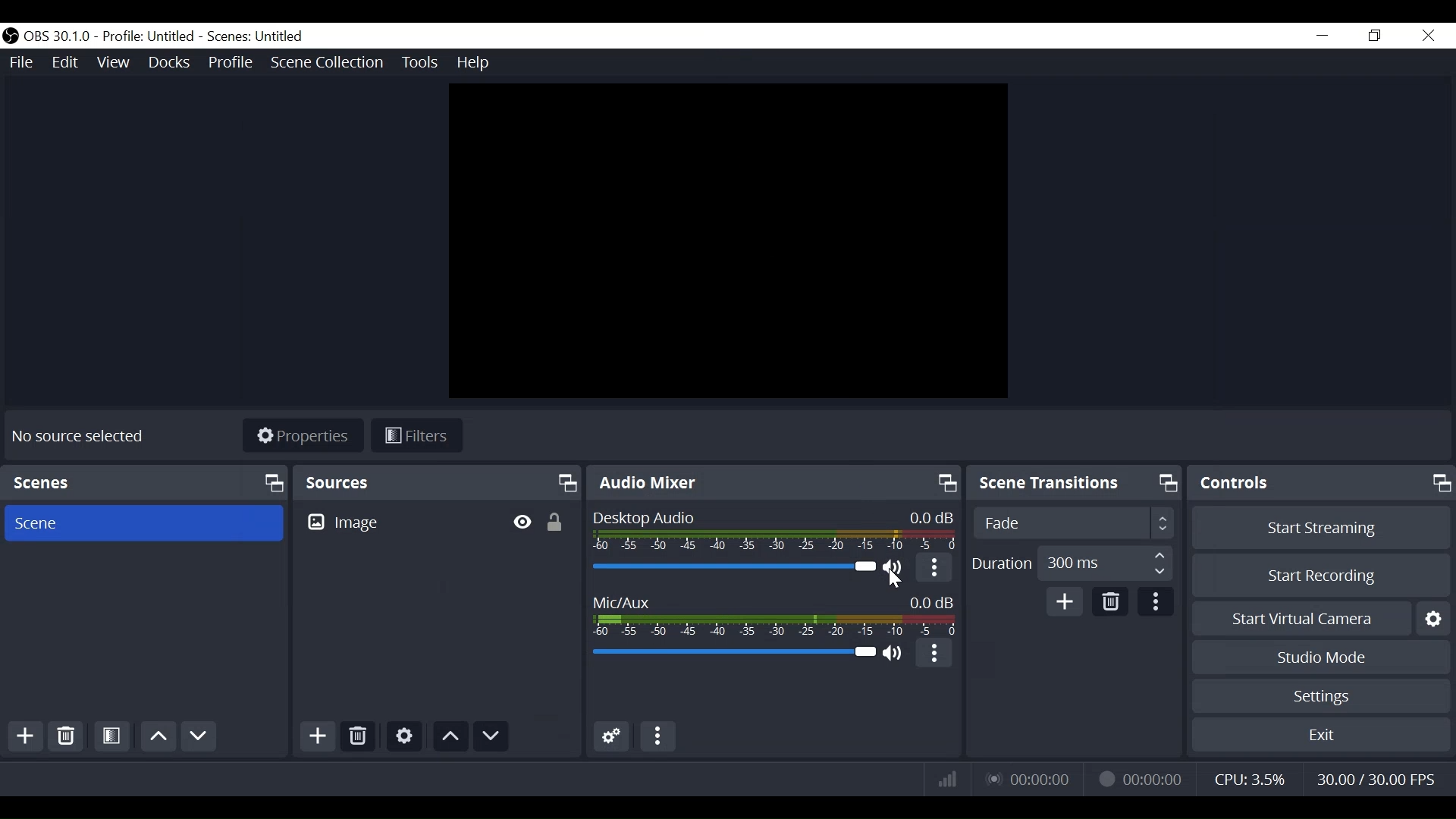 The height and width of the screenshot is (819, 1456). I want to click on View, so click(116, 64).